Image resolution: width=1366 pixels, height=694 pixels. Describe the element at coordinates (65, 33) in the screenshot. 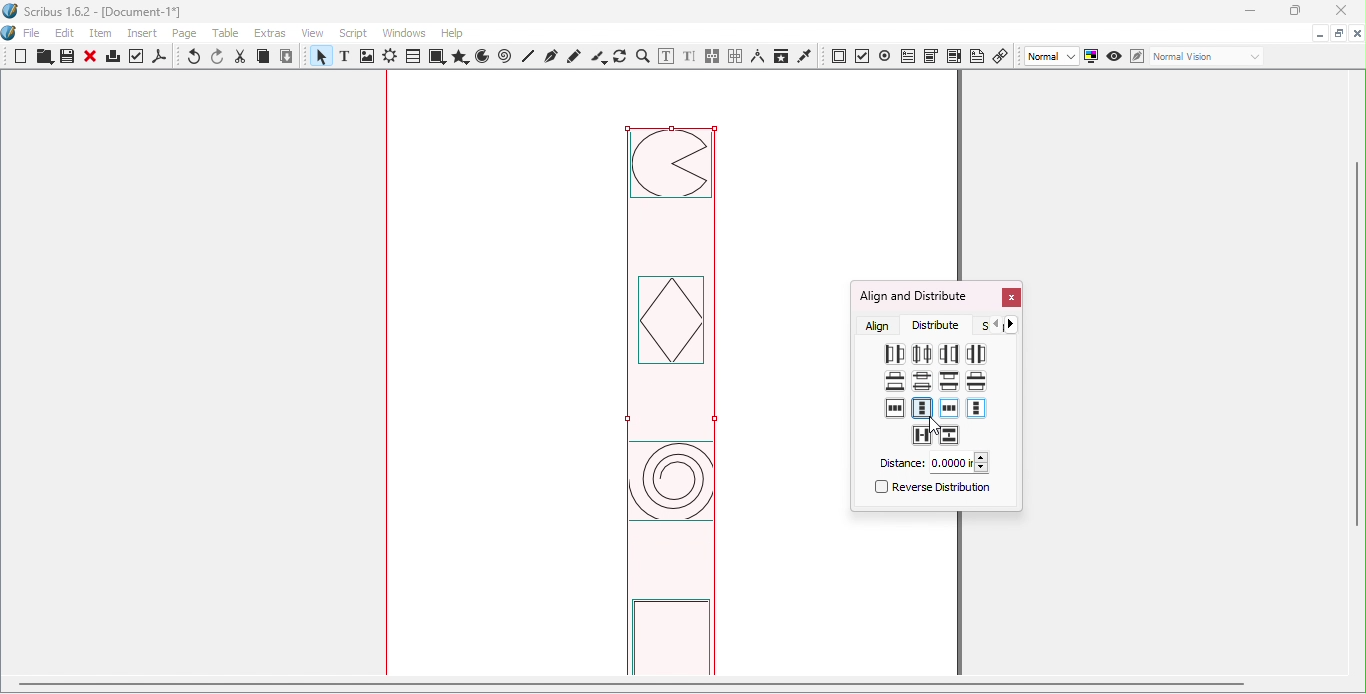

I see `Edit` at that location.